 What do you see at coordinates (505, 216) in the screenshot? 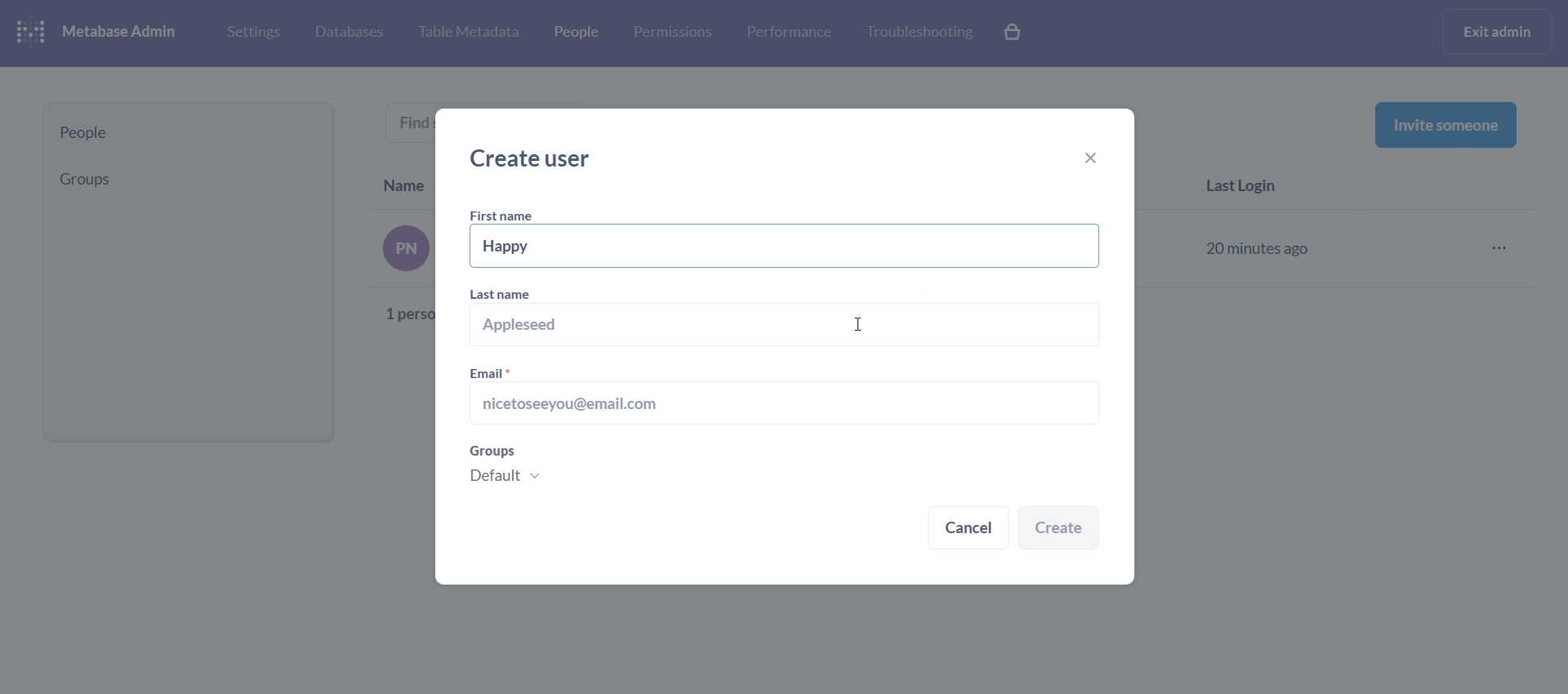
I see `first name` at bounding box center [505, 216].